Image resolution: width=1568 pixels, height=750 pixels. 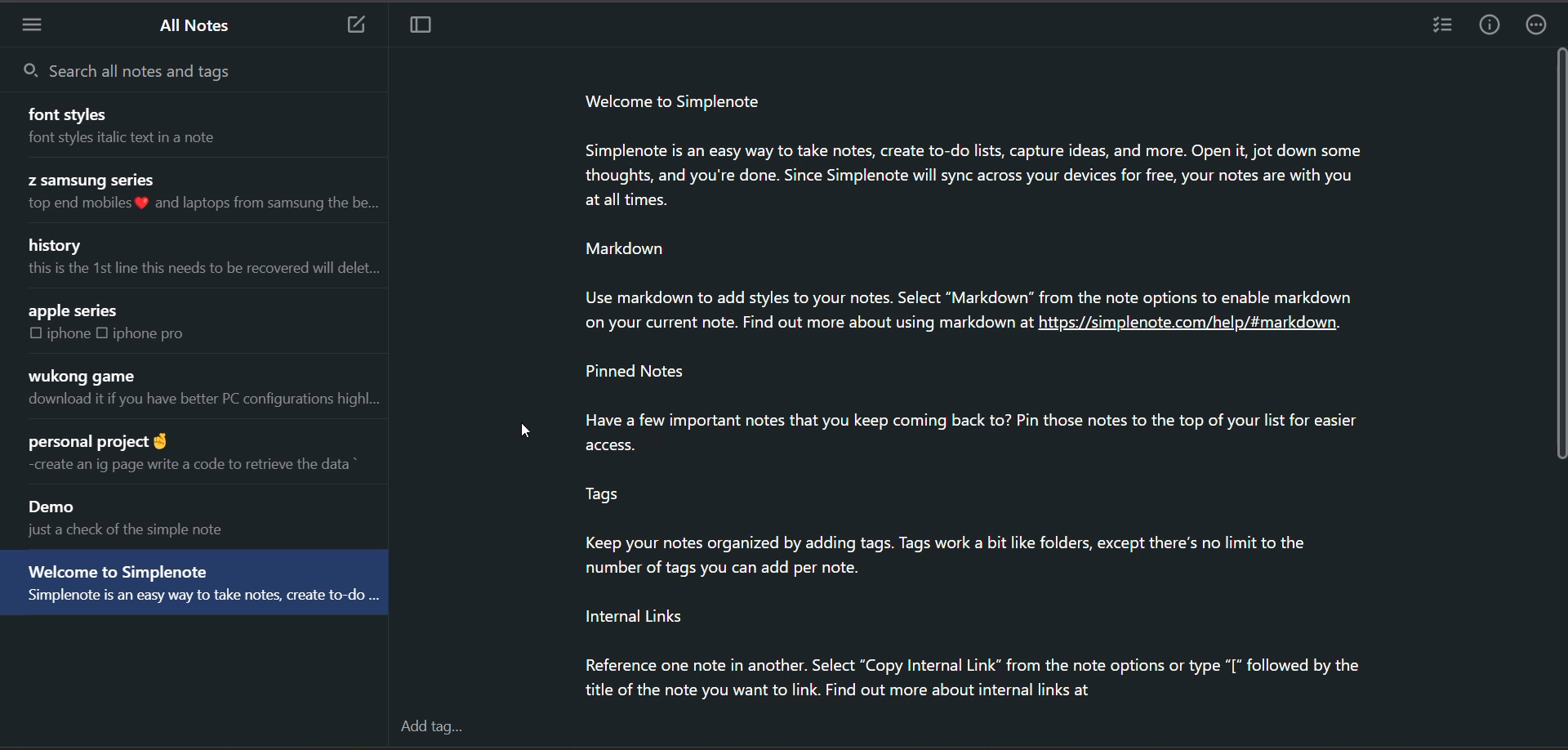 I want to click on just a check of the simple note, so click(x=154, y=533).